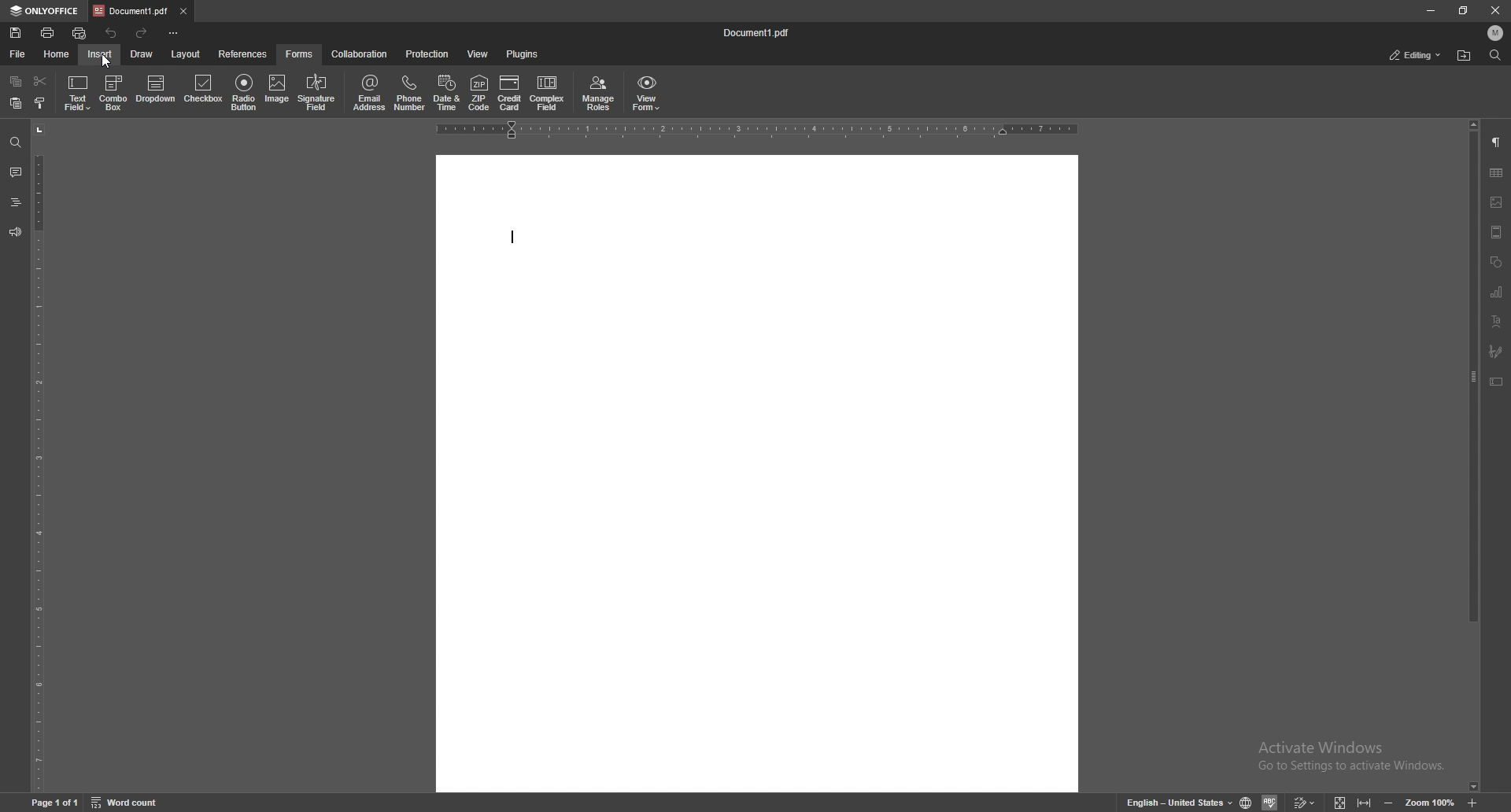 The width and height of the screenshot is (1511, 812). I want to click on copy style, so click(41, 105).